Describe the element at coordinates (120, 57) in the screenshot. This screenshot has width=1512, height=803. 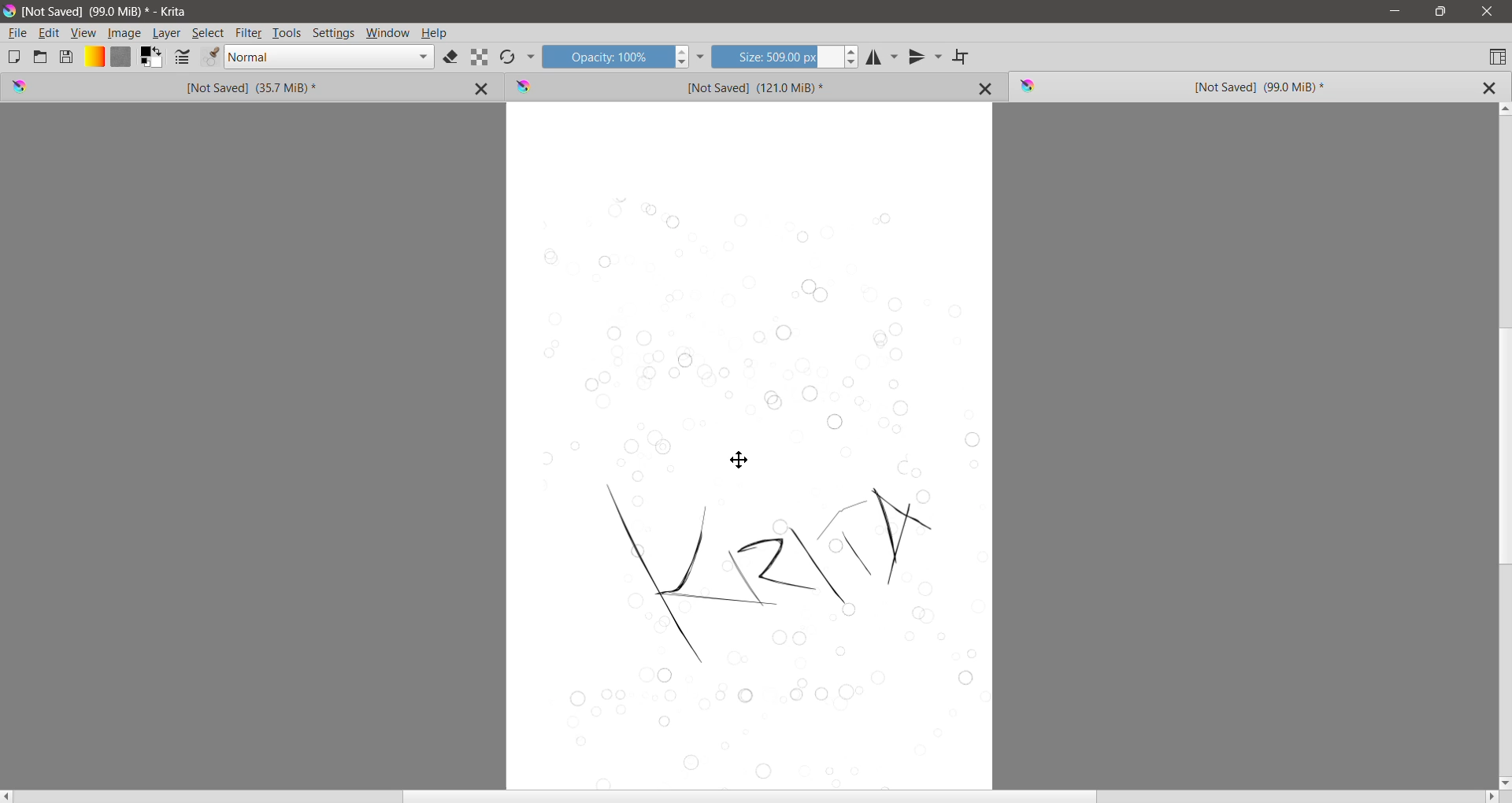
I see `Fill Patterns` at that location.